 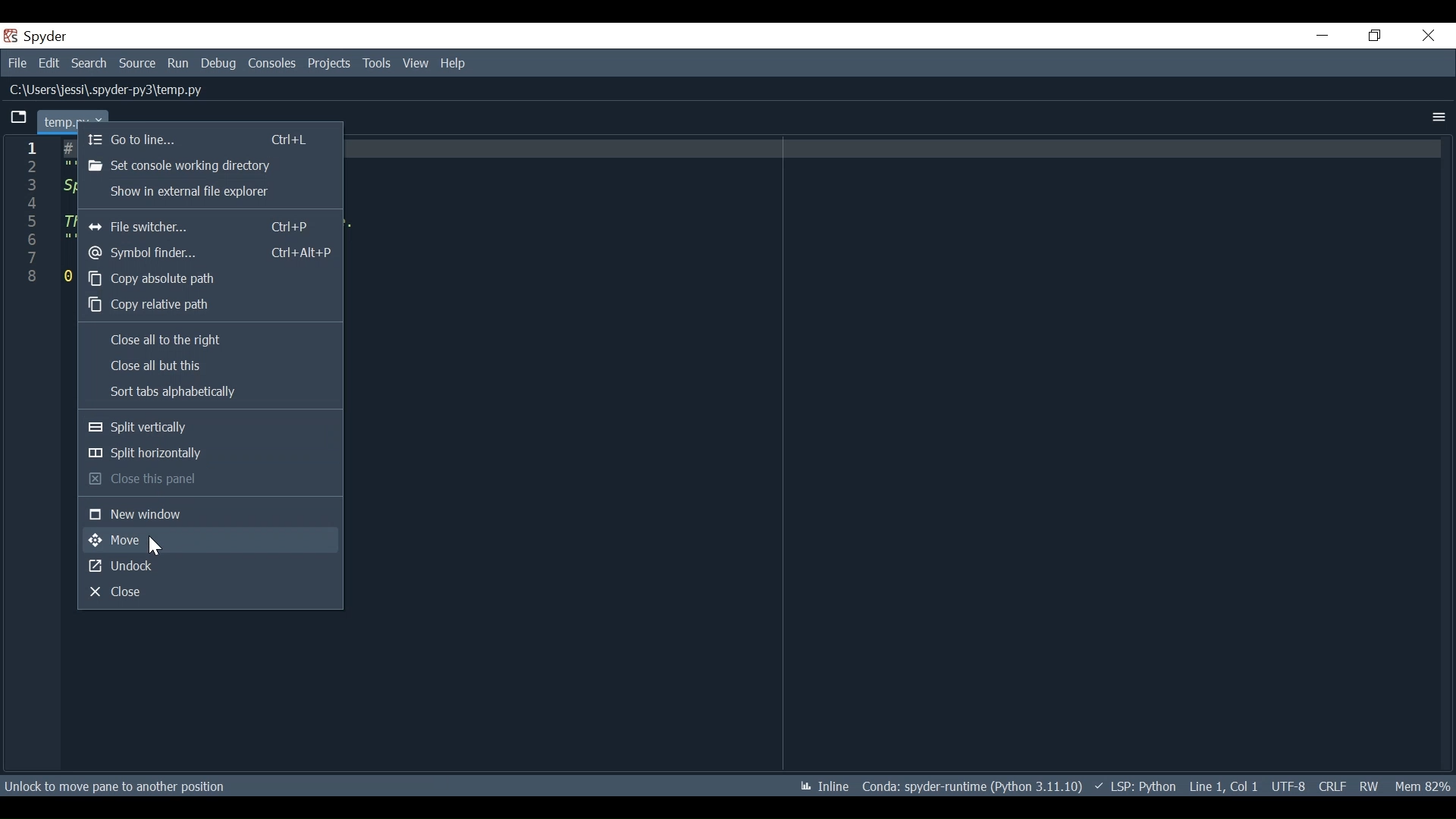 I want to click on Go to line, so click(x=209, y=140).